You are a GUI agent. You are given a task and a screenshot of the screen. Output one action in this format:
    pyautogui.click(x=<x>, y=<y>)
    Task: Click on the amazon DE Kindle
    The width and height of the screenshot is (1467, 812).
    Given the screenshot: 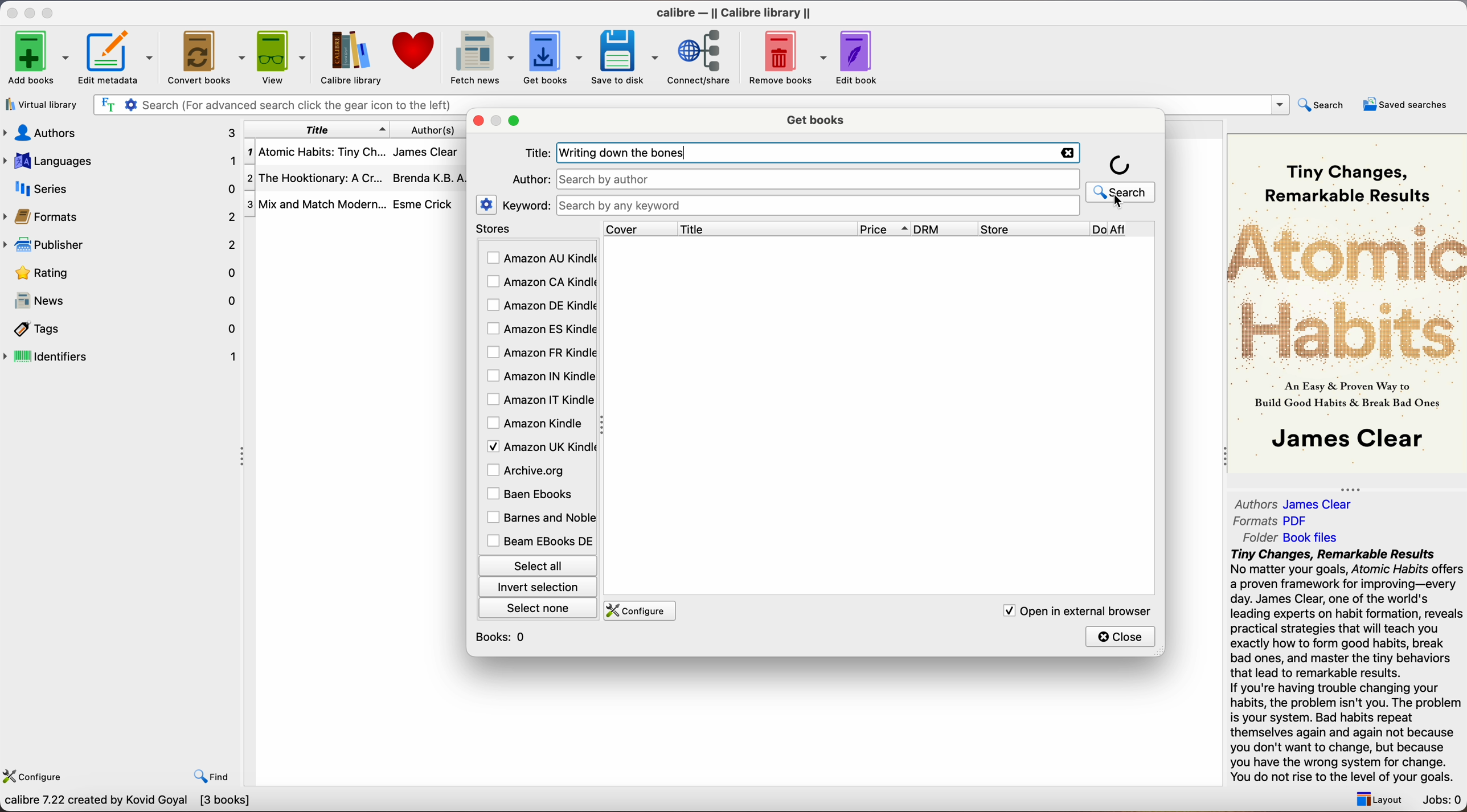 What is the action you would take?
    pyautogui.click(x=539, y=305)
    